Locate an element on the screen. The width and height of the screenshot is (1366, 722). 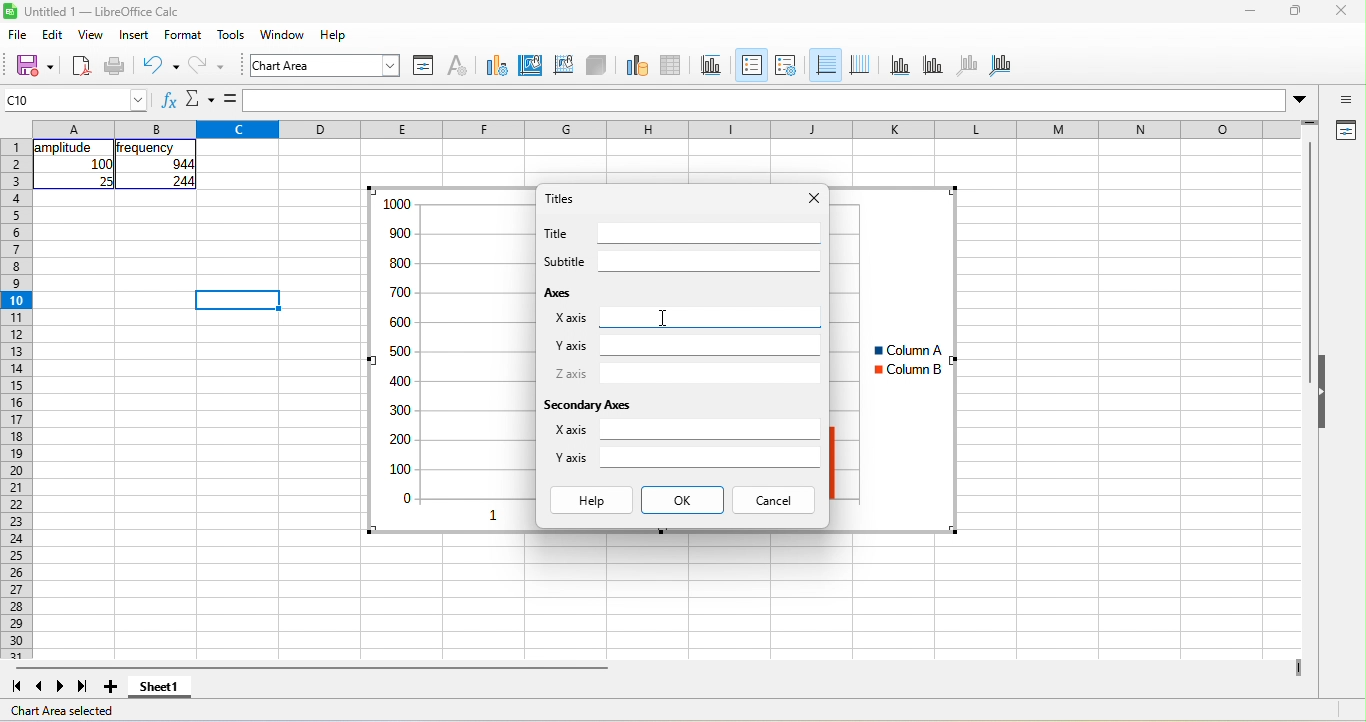
cell name is located at coordinates (74, 100).